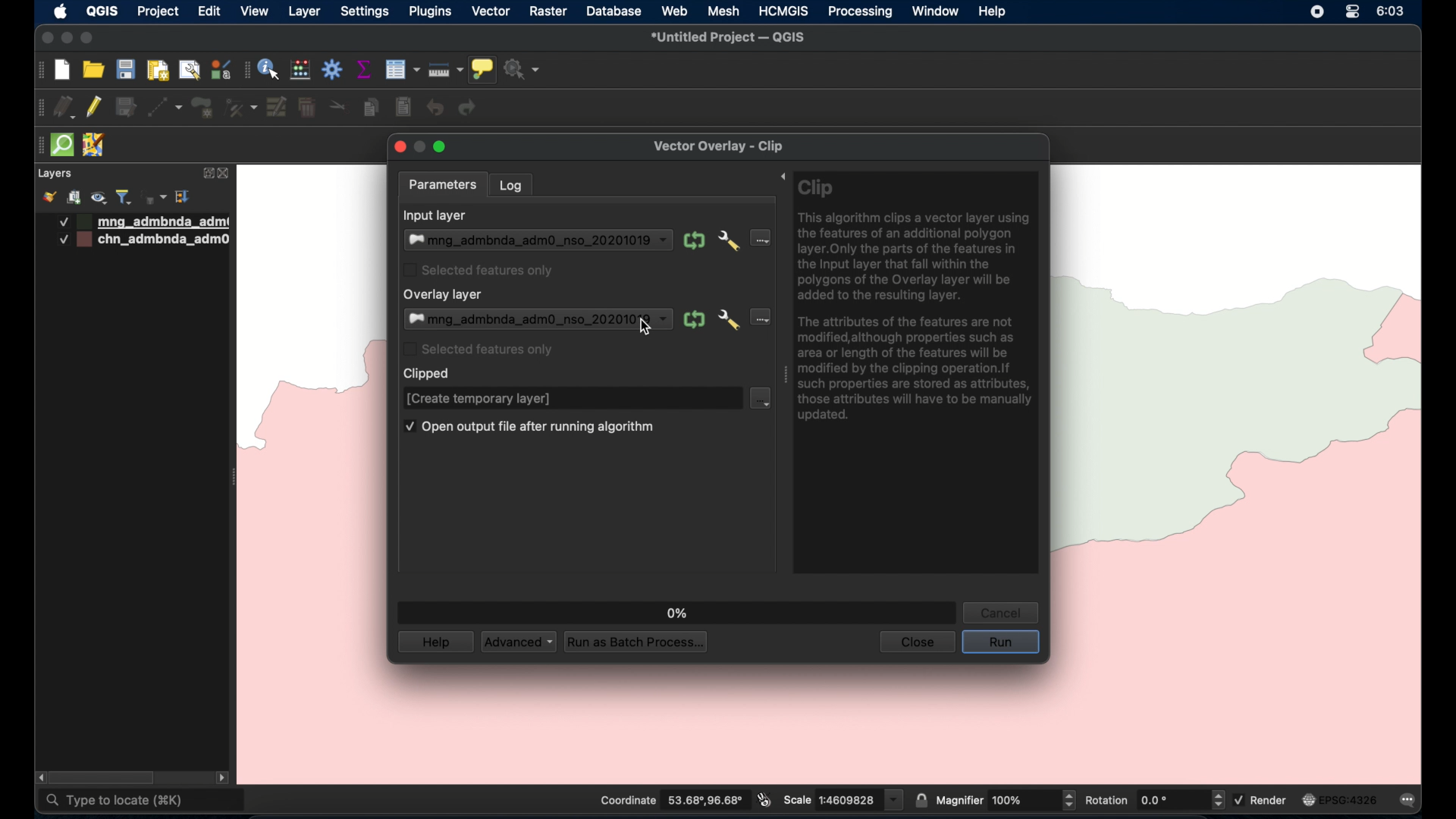  What do you see at coordinates (157, 71) in the screenshot?
I see `print layout` at bounding box center [157, 71].